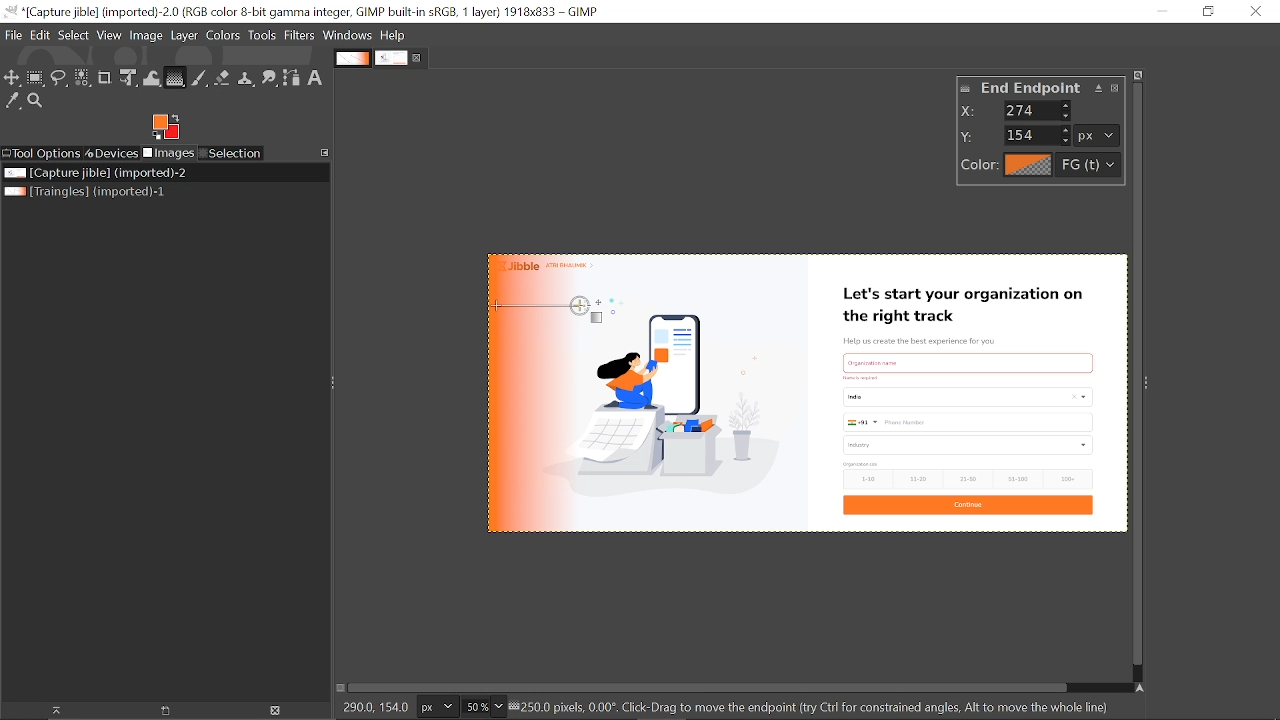  What do you see at coordinates (51, 711) in the screenshot?
I see `Raise this image's display` at bounding box center [51, 711].